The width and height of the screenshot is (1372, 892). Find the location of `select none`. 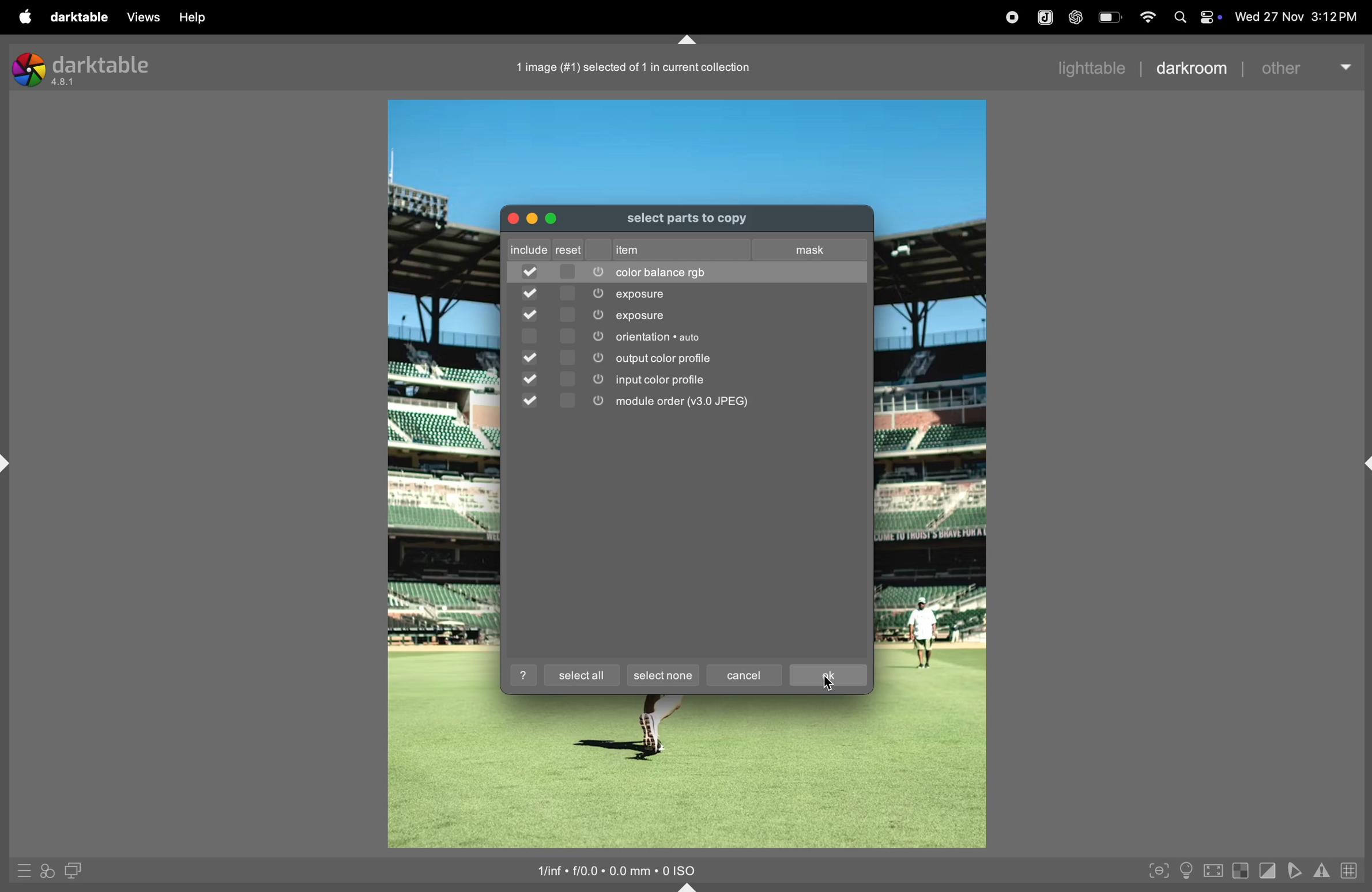

select none is located at coordinates (666, 676).